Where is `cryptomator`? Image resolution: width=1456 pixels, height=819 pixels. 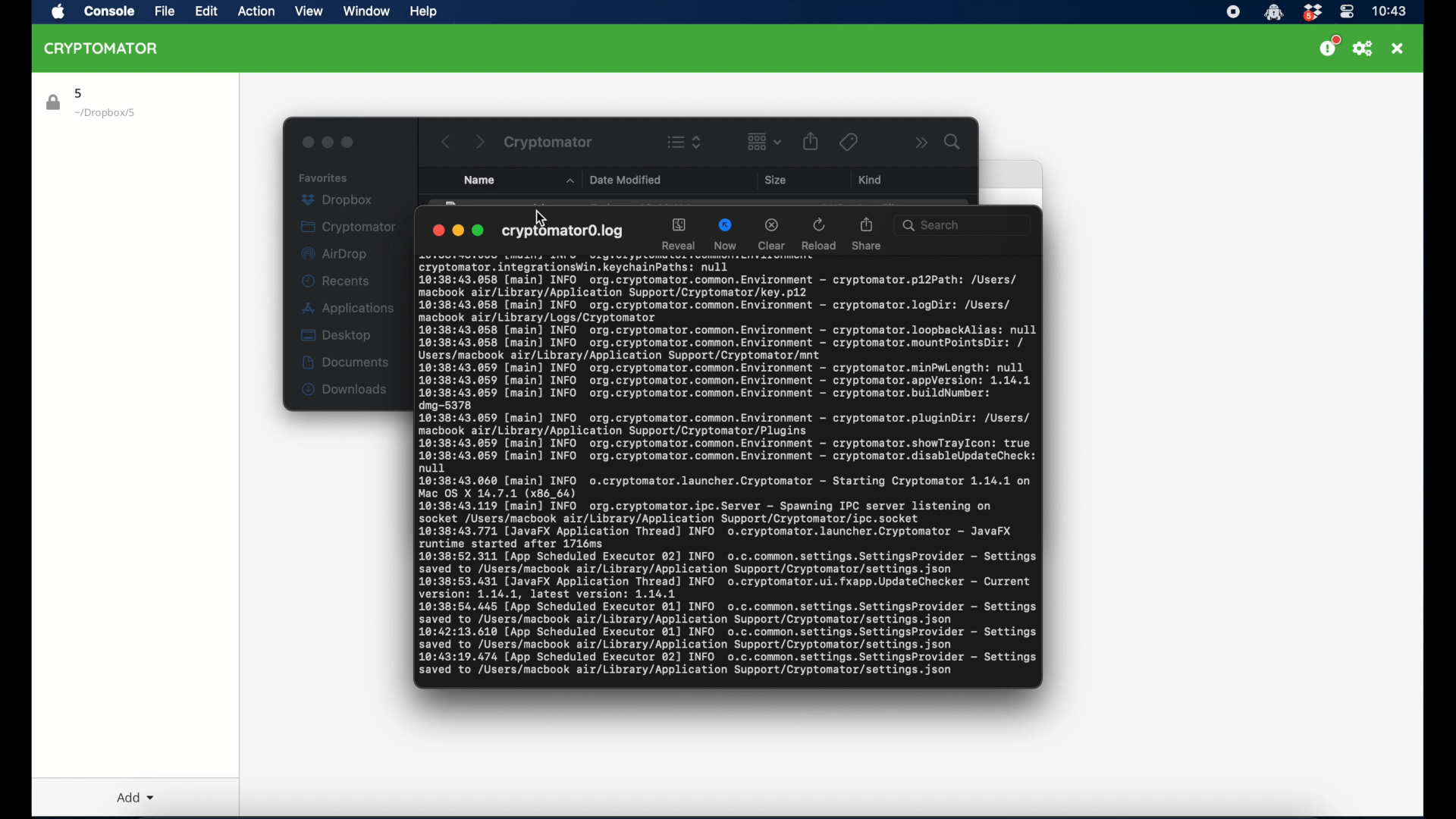 cryptomator is located at coordinates (551, 143).